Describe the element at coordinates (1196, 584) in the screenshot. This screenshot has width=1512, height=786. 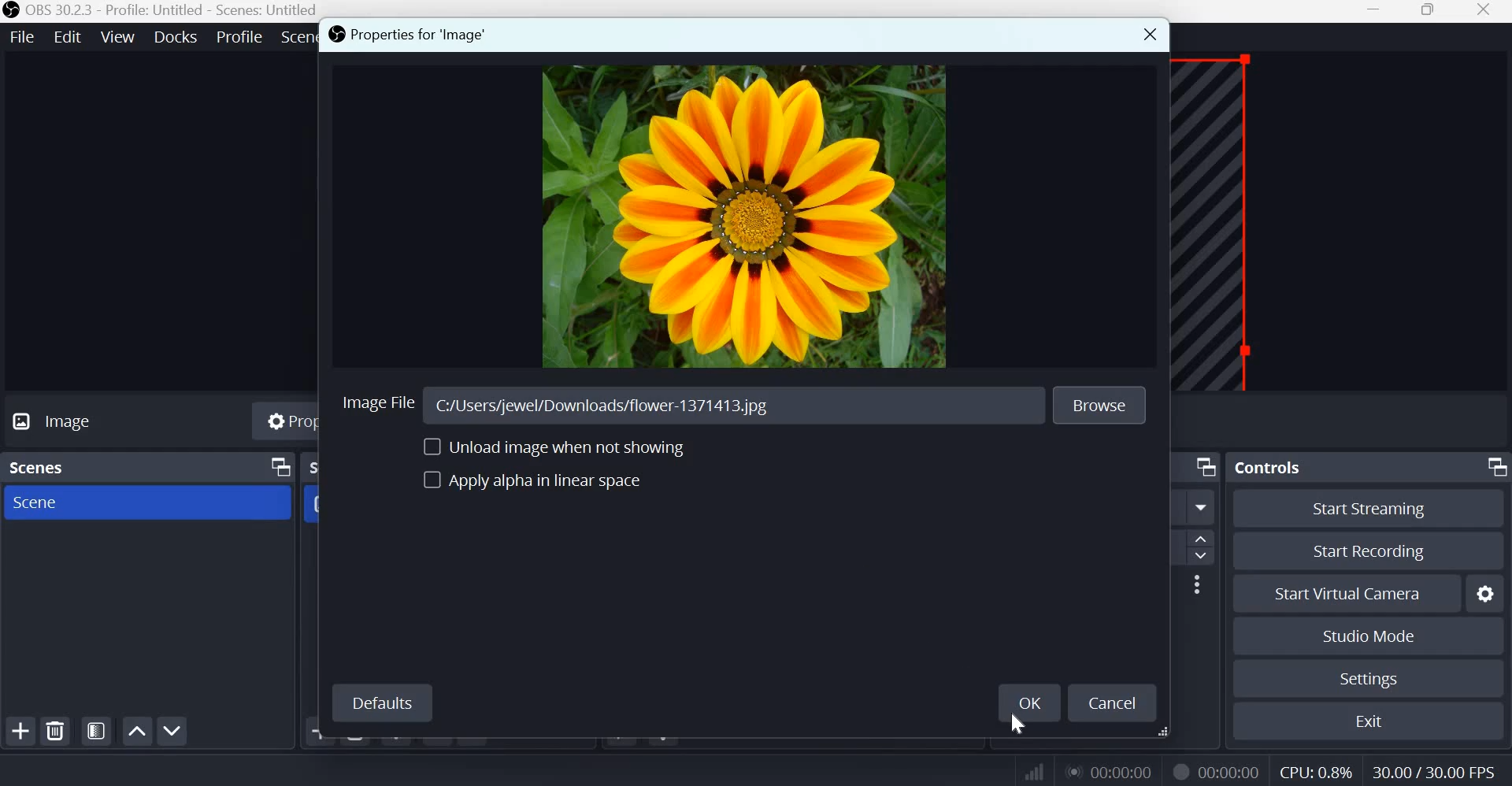
I see `More Options ` at that location.